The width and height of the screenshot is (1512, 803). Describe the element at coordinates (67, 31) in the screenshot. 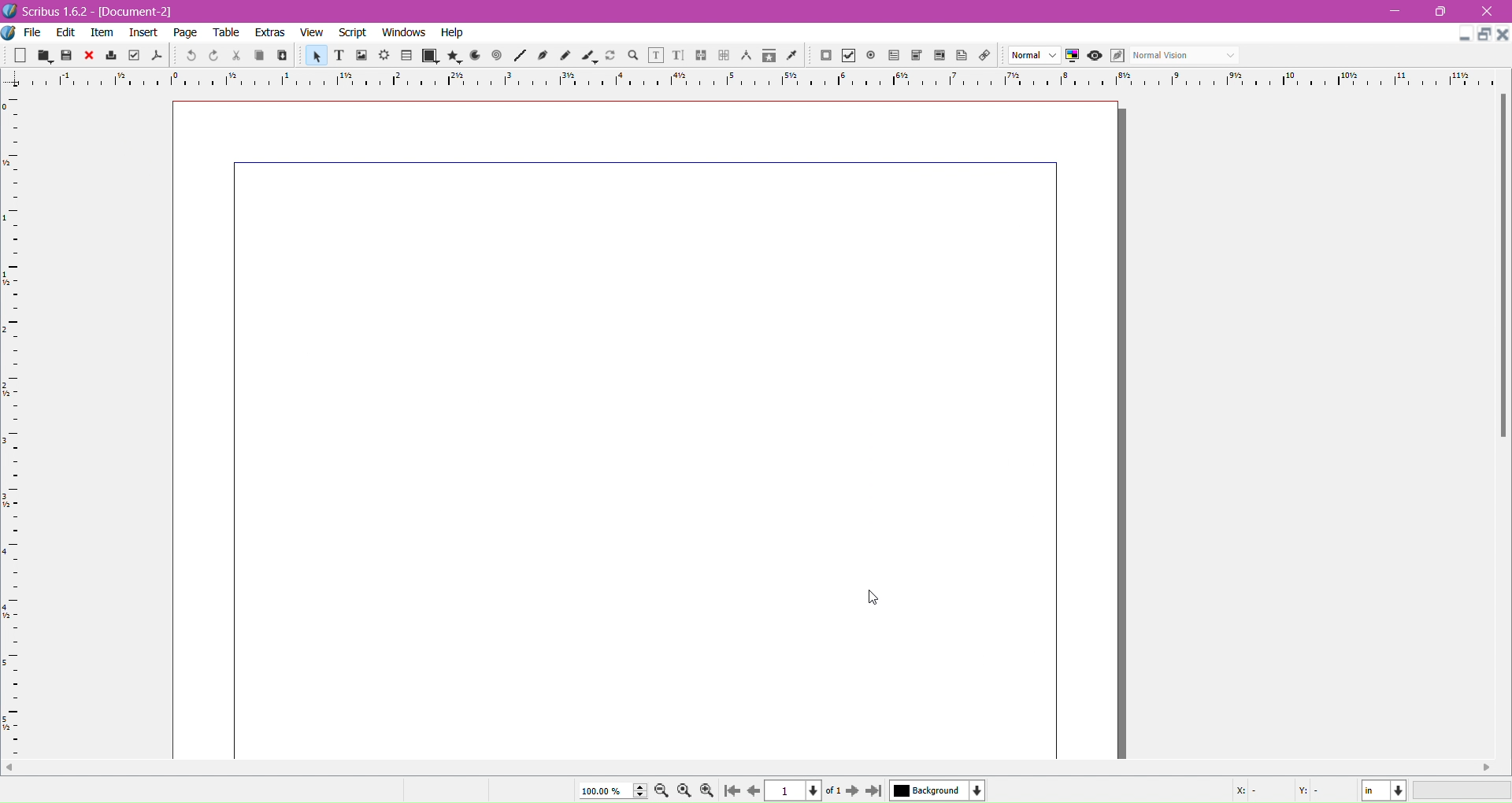

I see `Edit` at that location.